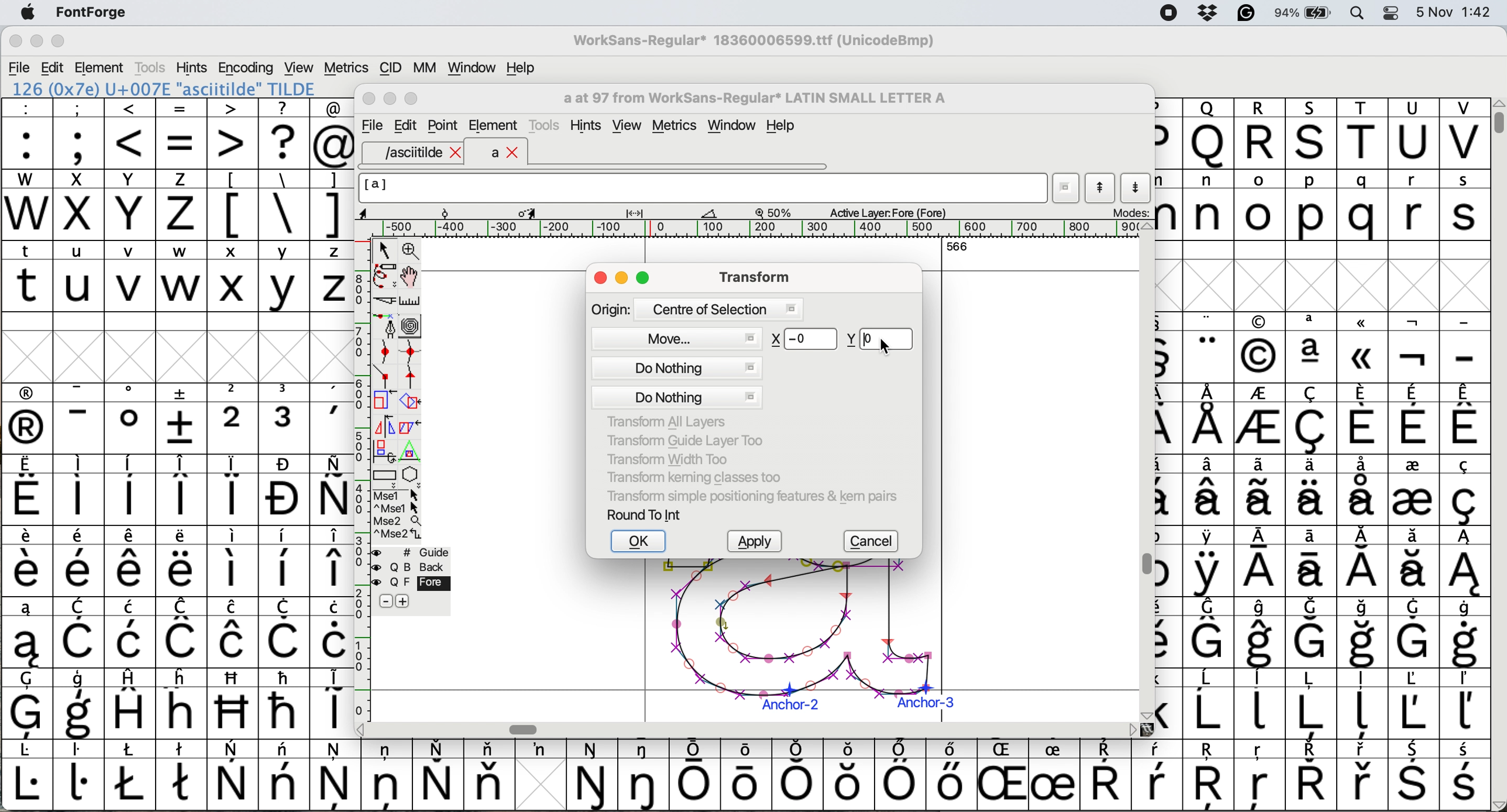 The image size is (1507, 812). I want to click on scroll button, so click(362, 728).